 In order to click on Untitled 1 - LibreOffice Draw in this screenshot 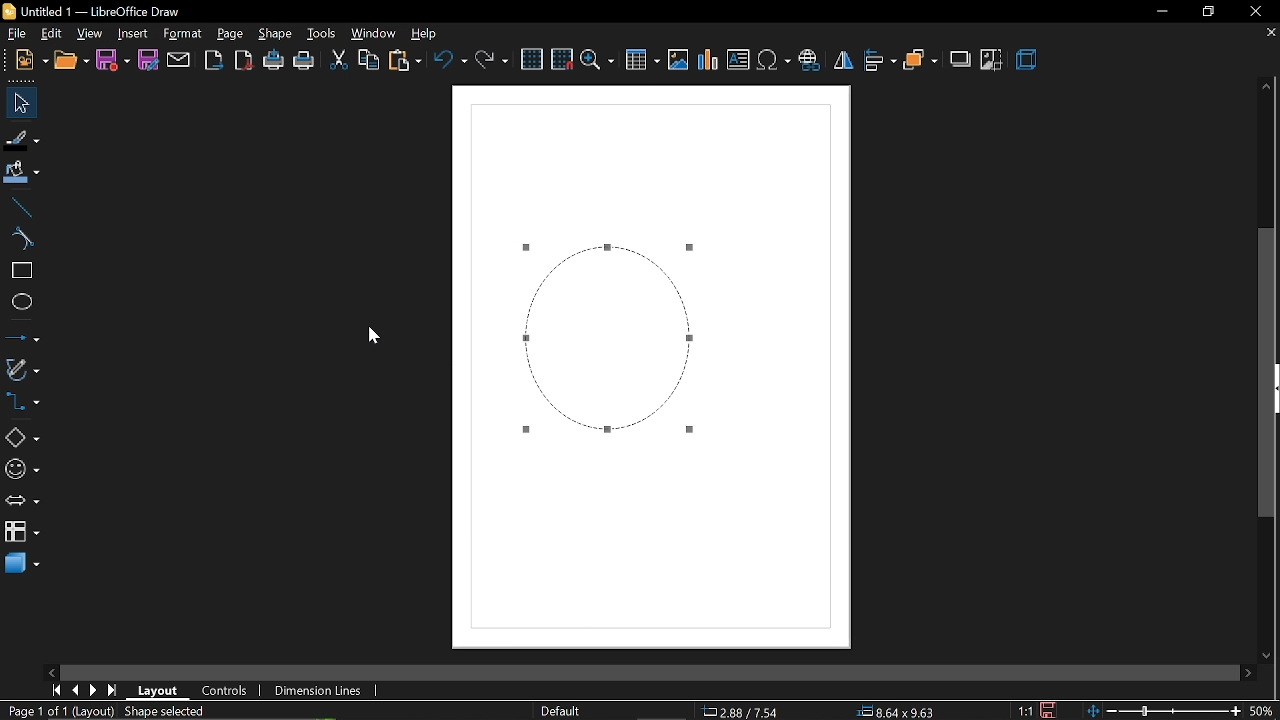, I will do `click(93, 11)`.